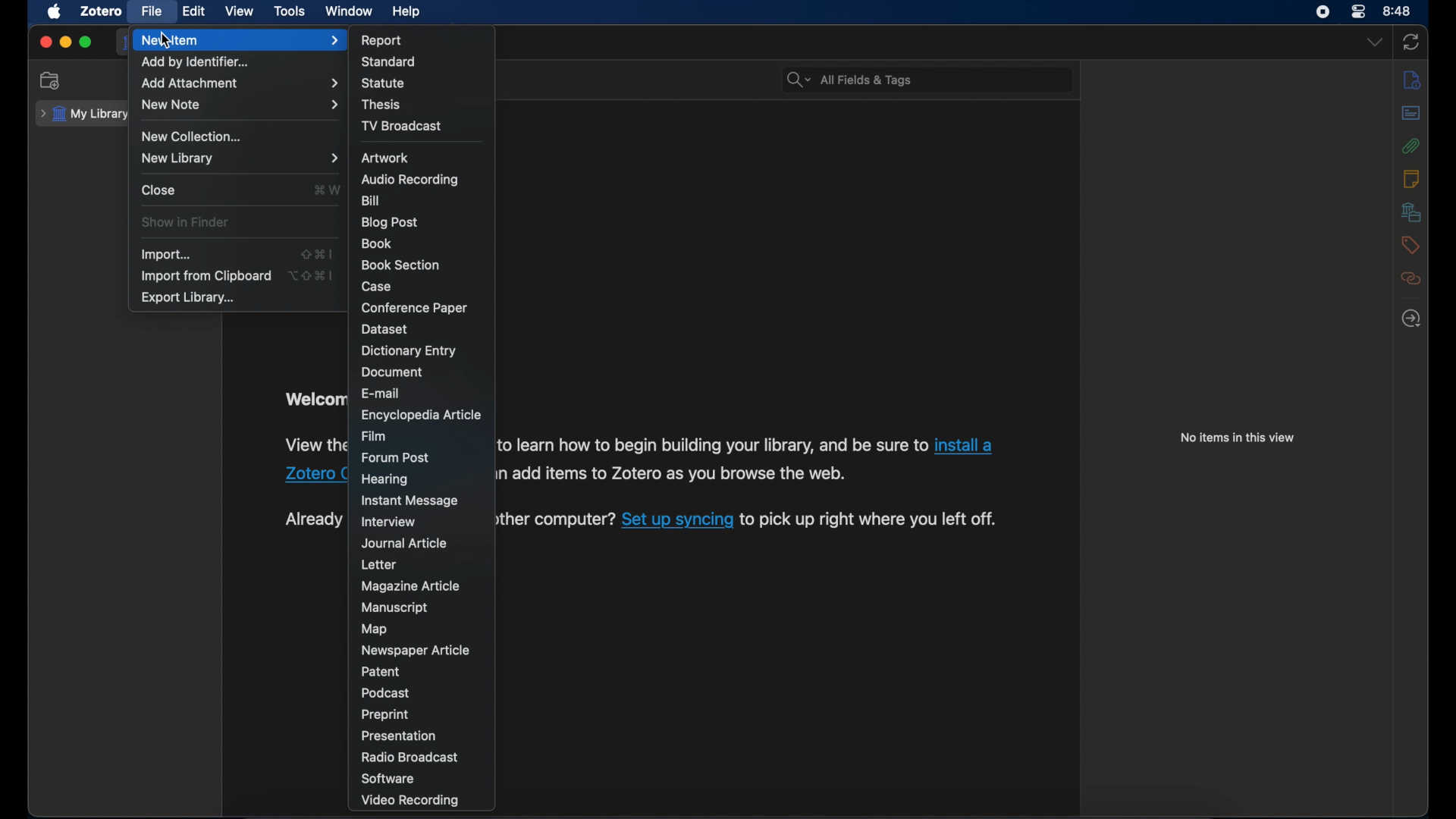  I want to click on add attachment, so click(240, 84).